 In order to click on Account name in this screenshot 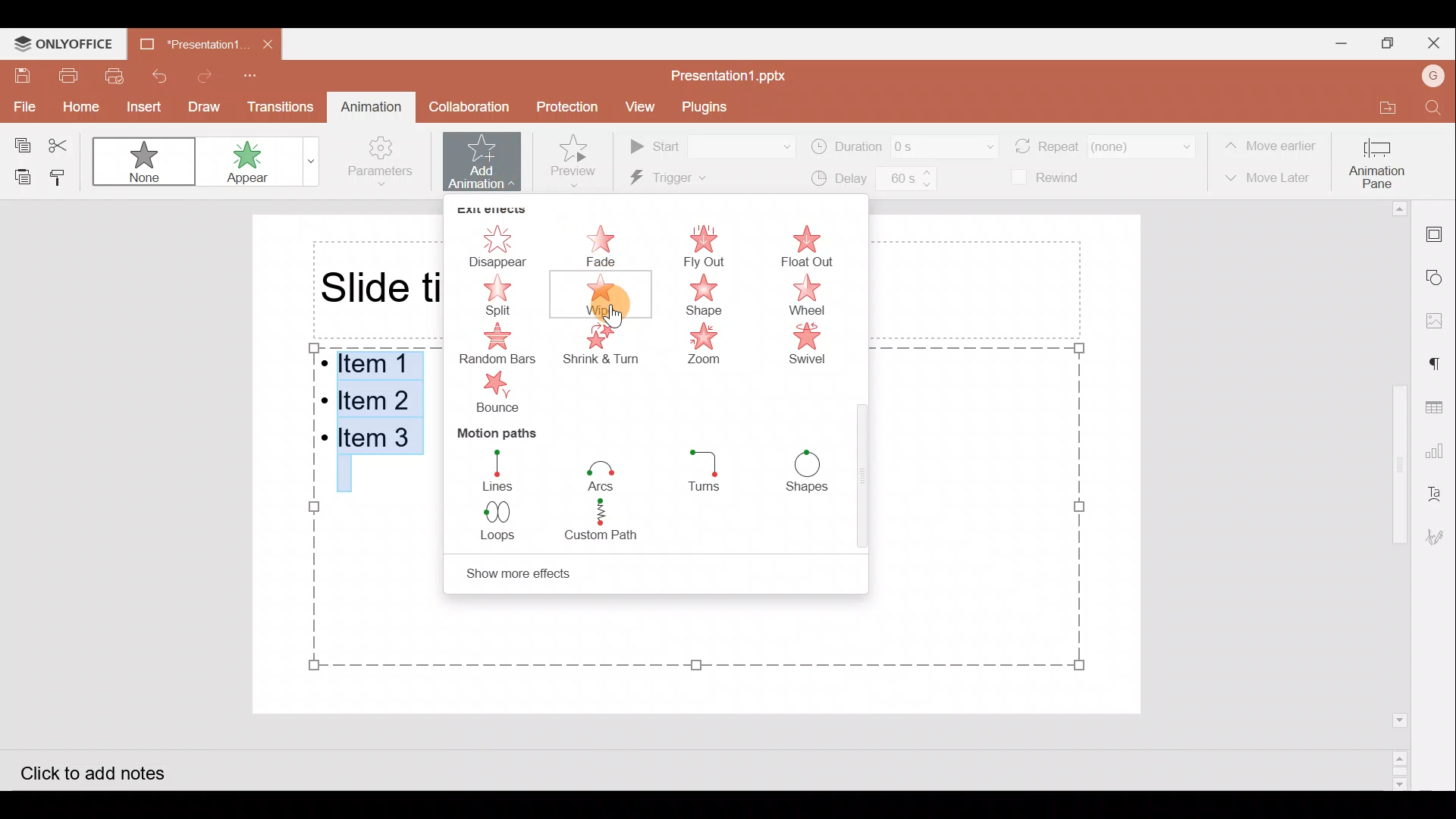, I will do `click(1434, 76)`.